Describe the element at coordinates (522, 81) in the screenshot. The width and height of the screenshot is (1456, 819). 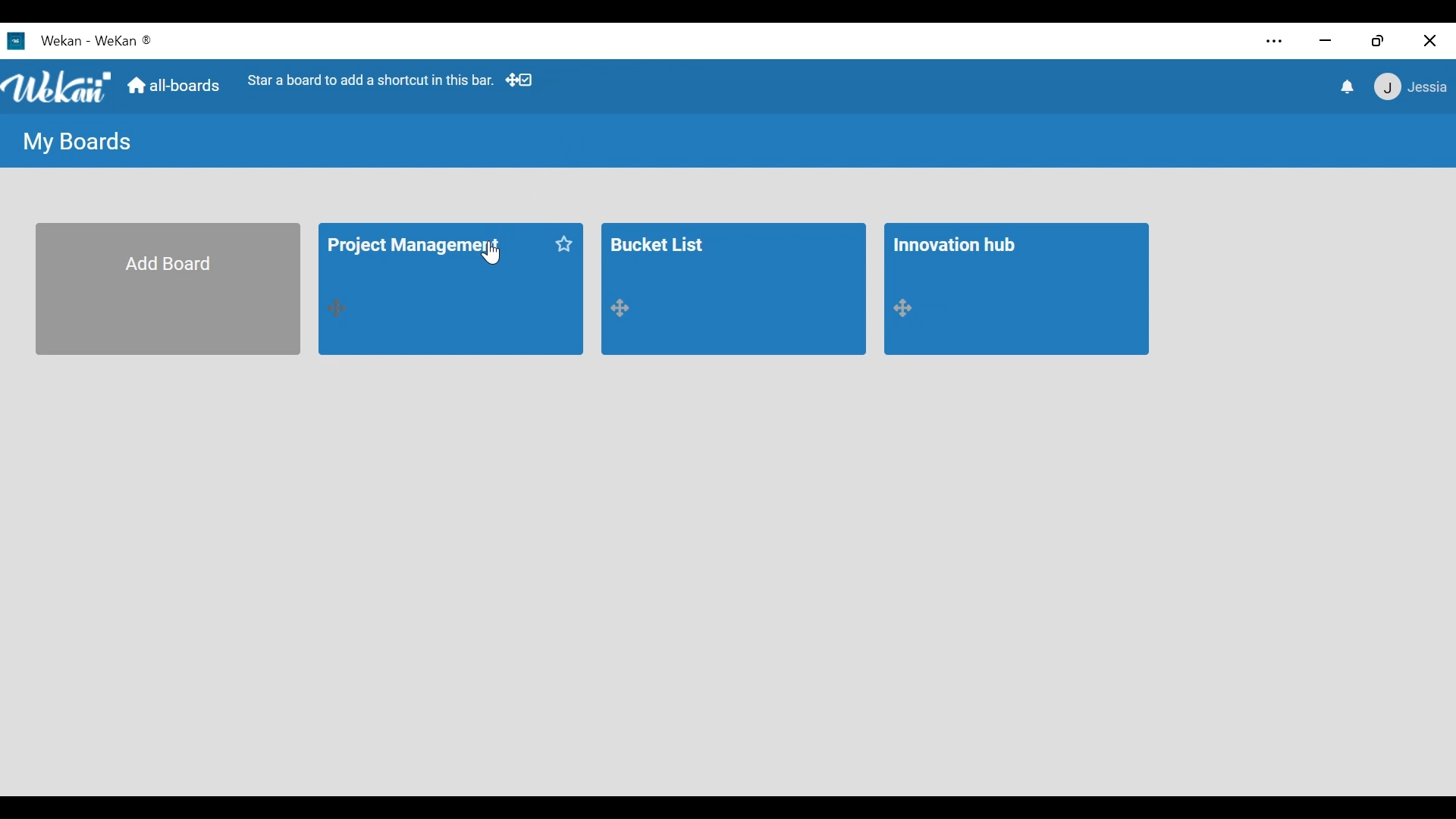
I see `Toggle Desktop drag handle` at that location.